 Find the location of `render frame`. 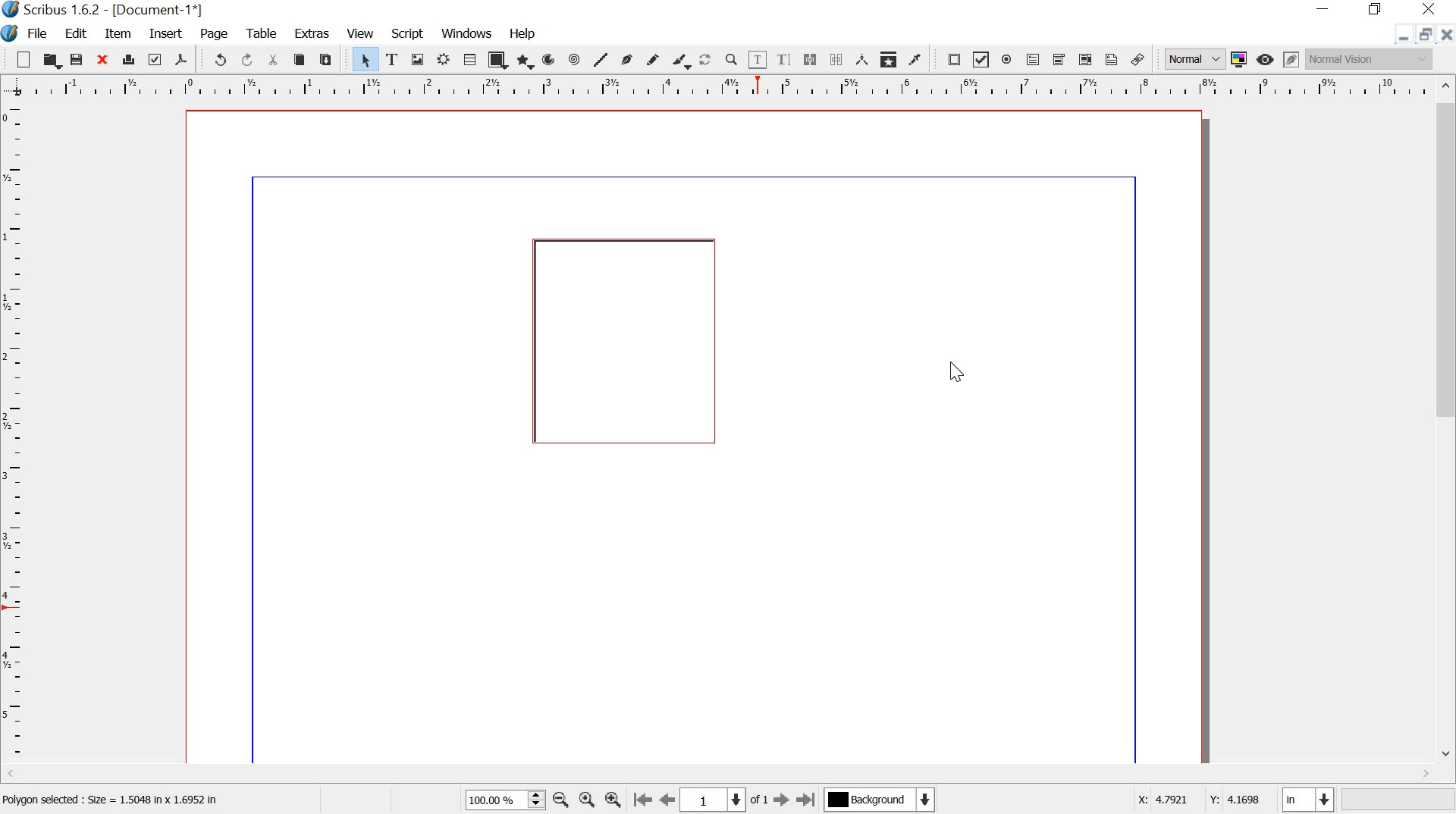

render frame is located at coordinates (443, 61).